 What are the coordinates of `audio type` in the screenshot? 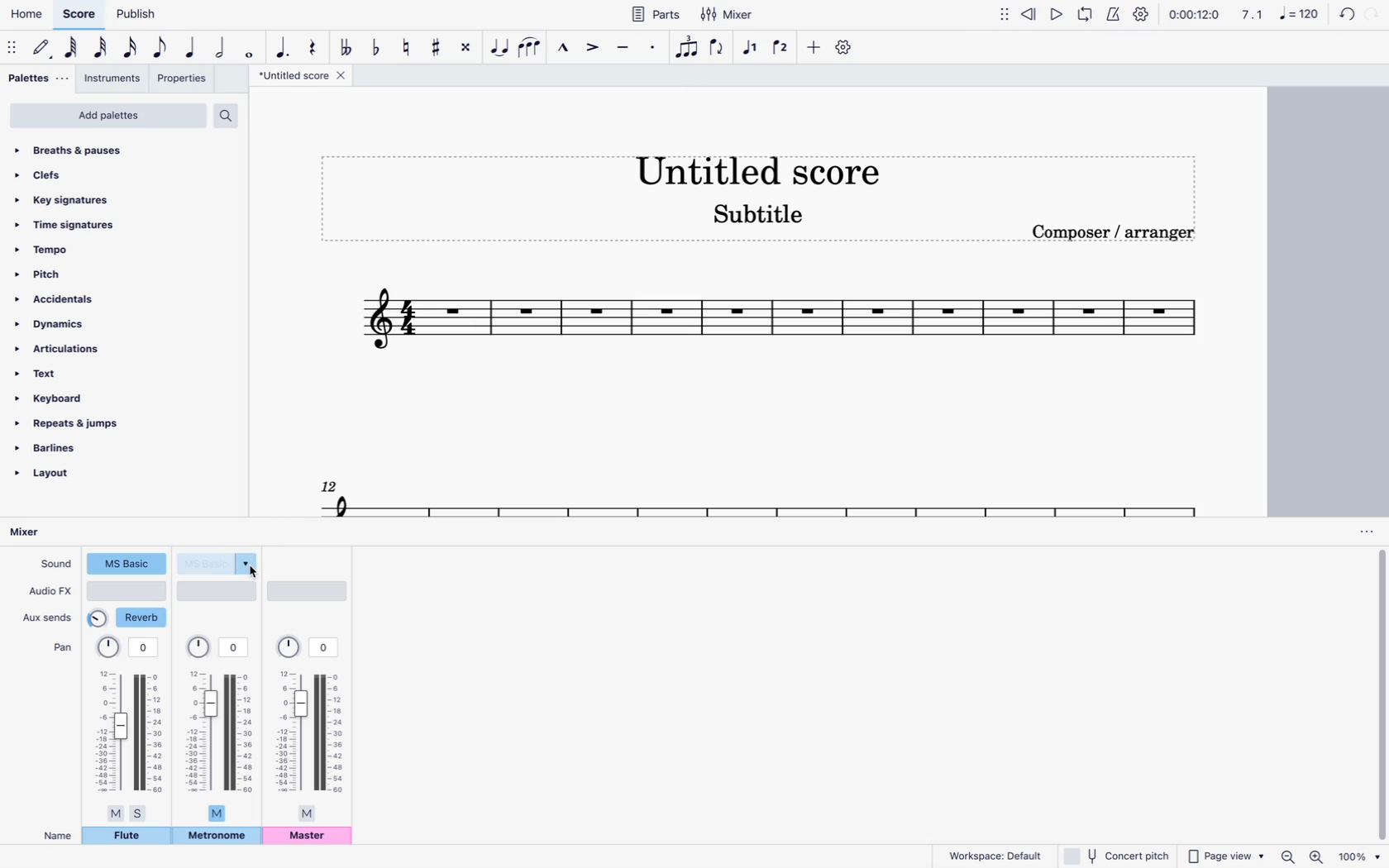 It's located at (313, 591).